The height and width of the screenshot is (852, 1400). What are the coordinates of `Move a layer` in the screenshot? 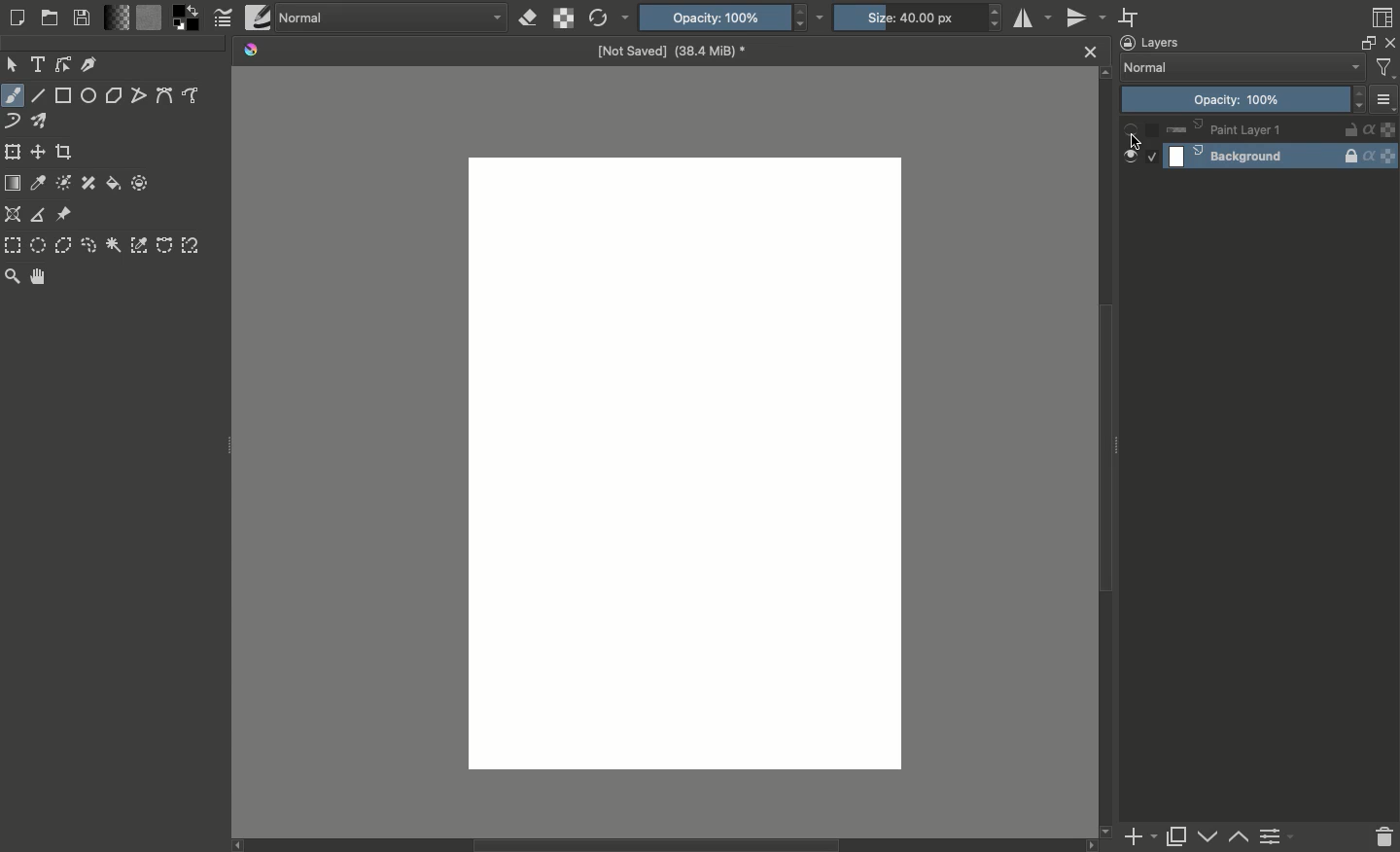 It's located at (39, 153).